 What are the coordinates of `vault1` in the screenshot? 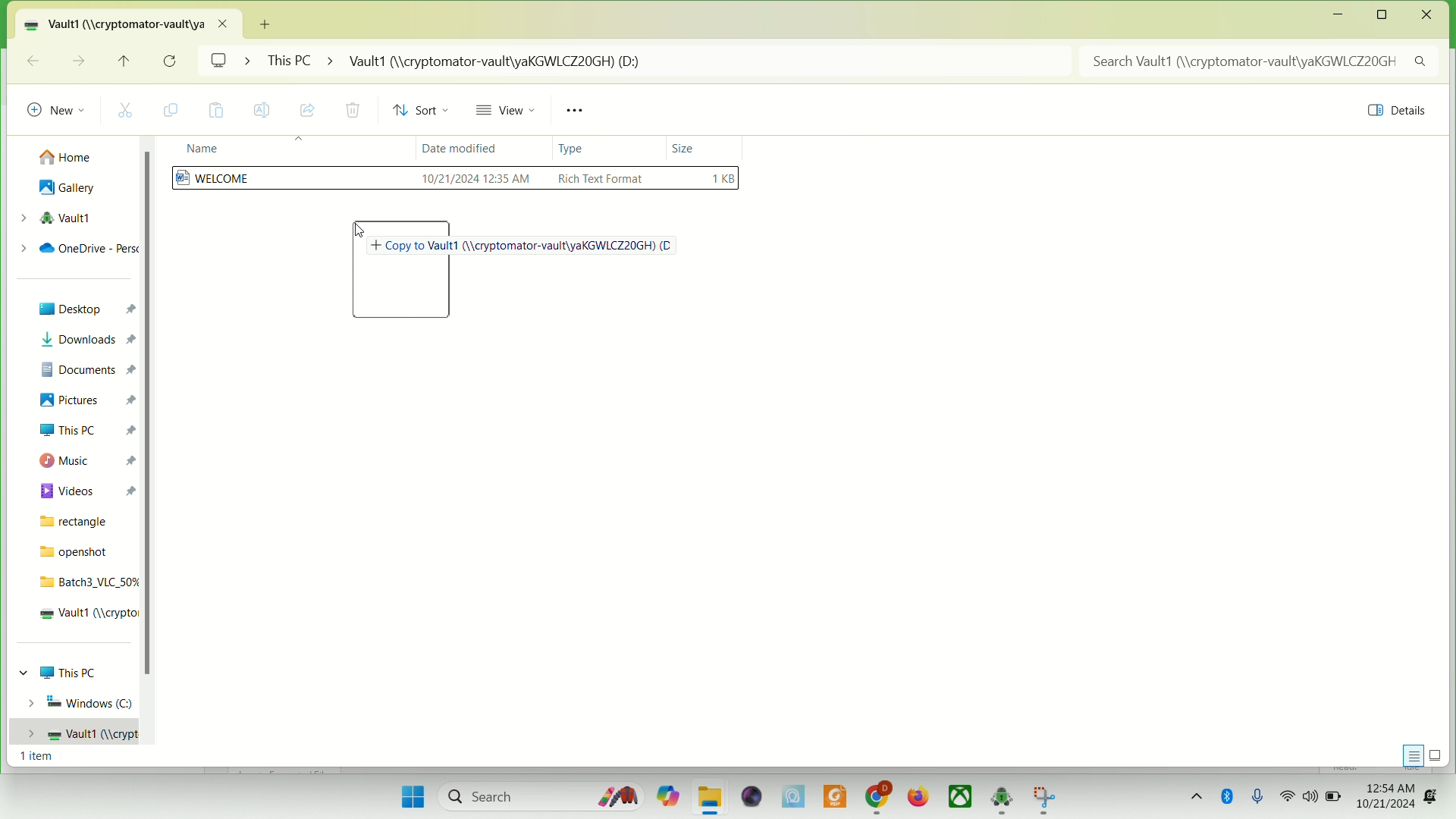 It's located at (72, 733).